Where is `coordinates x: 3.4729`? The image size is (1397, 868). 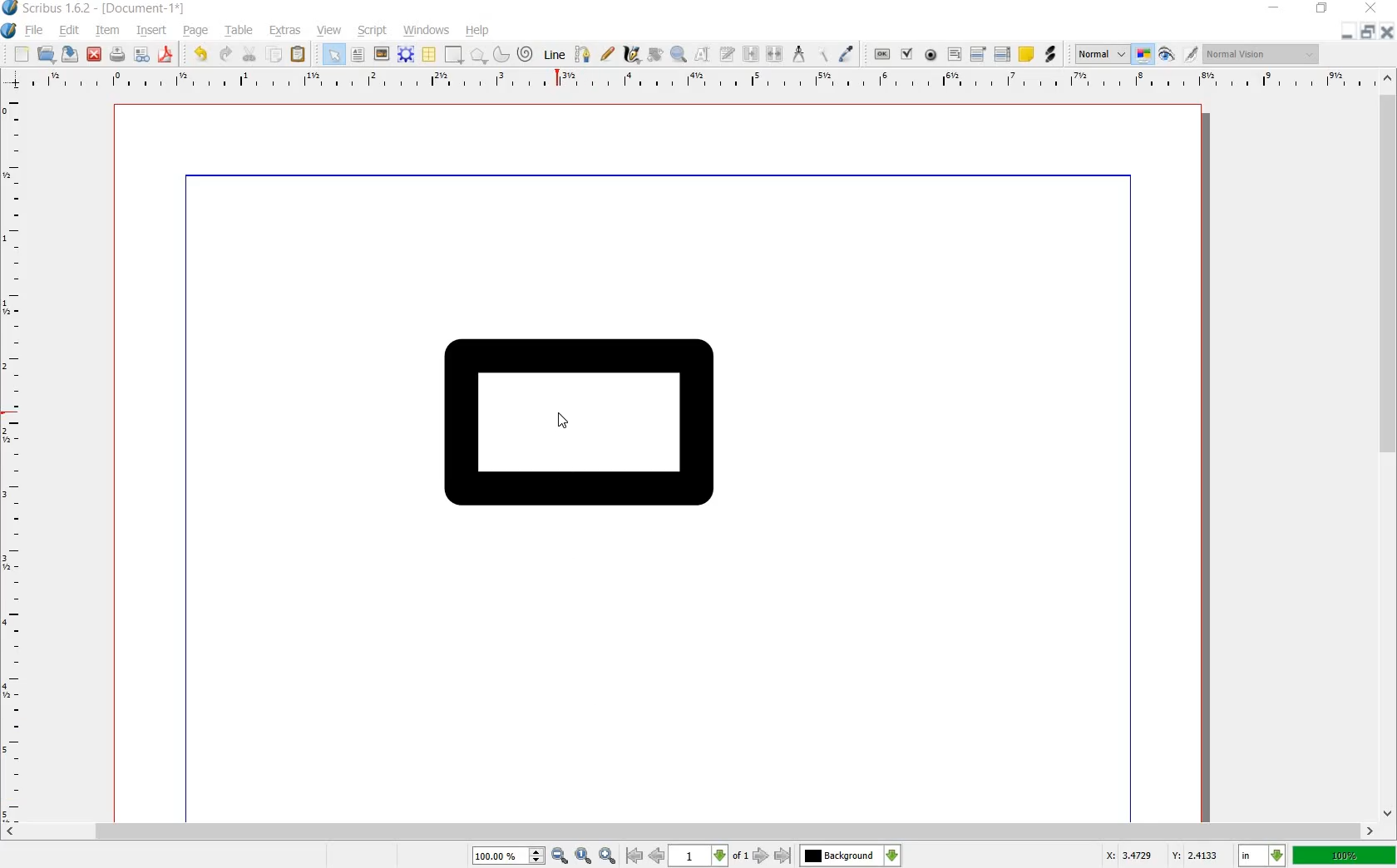
coordinates x: 3.4729 is located at coordinates (1119, 855).